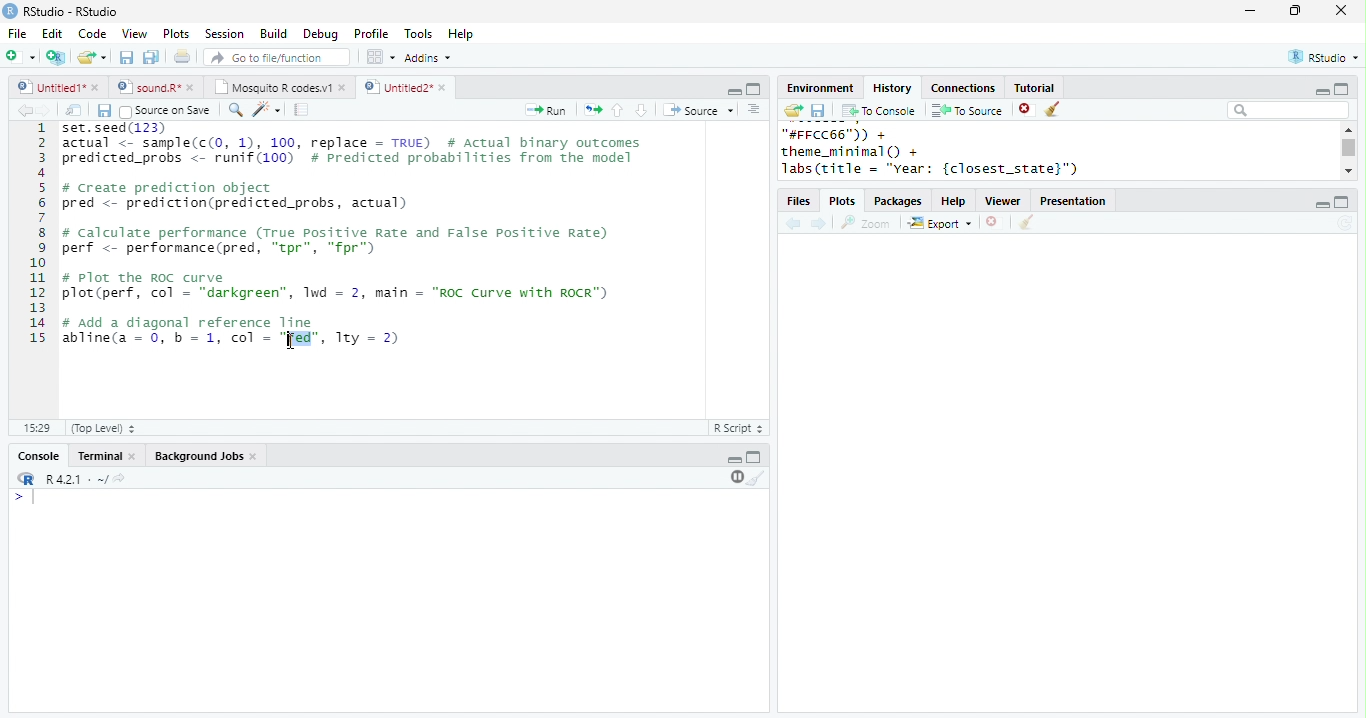  I want to click on clear, so click(1026, 223).